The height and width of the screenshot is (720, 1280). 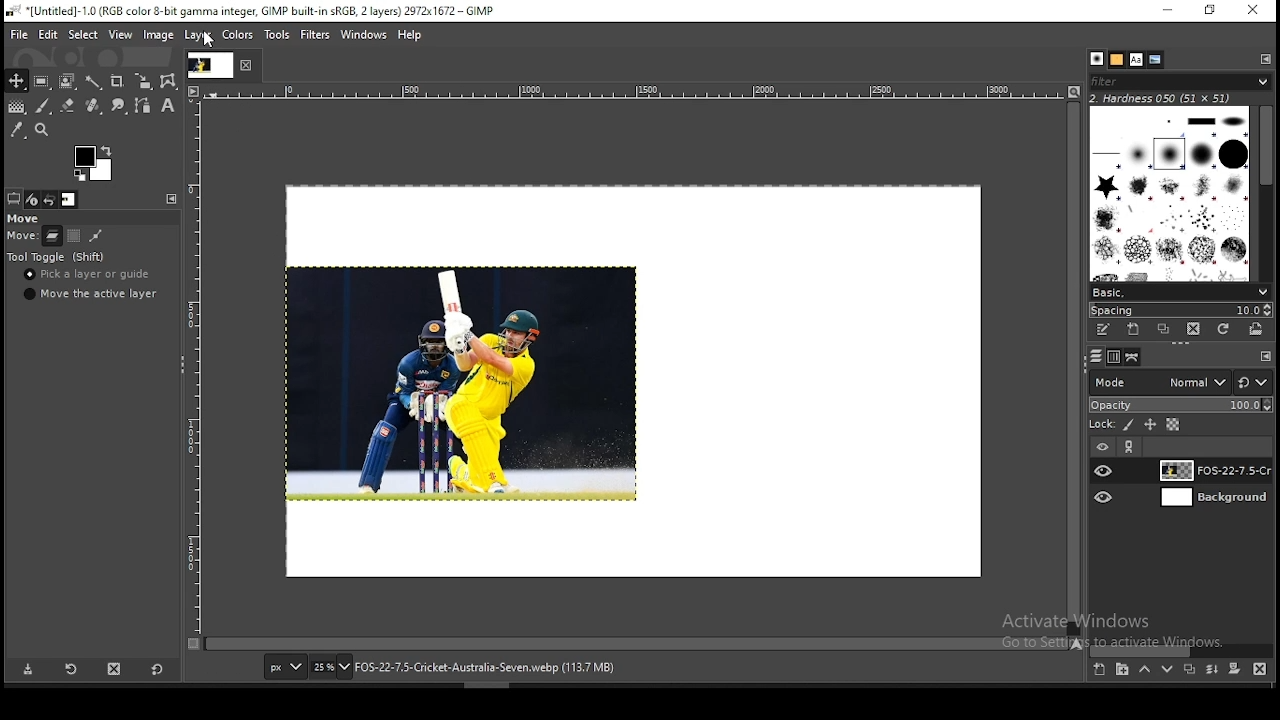 What do you see at coordinates (1186, 672) in the screenshot?
I see `duplicate layer` at bounding box center [1186, 672].